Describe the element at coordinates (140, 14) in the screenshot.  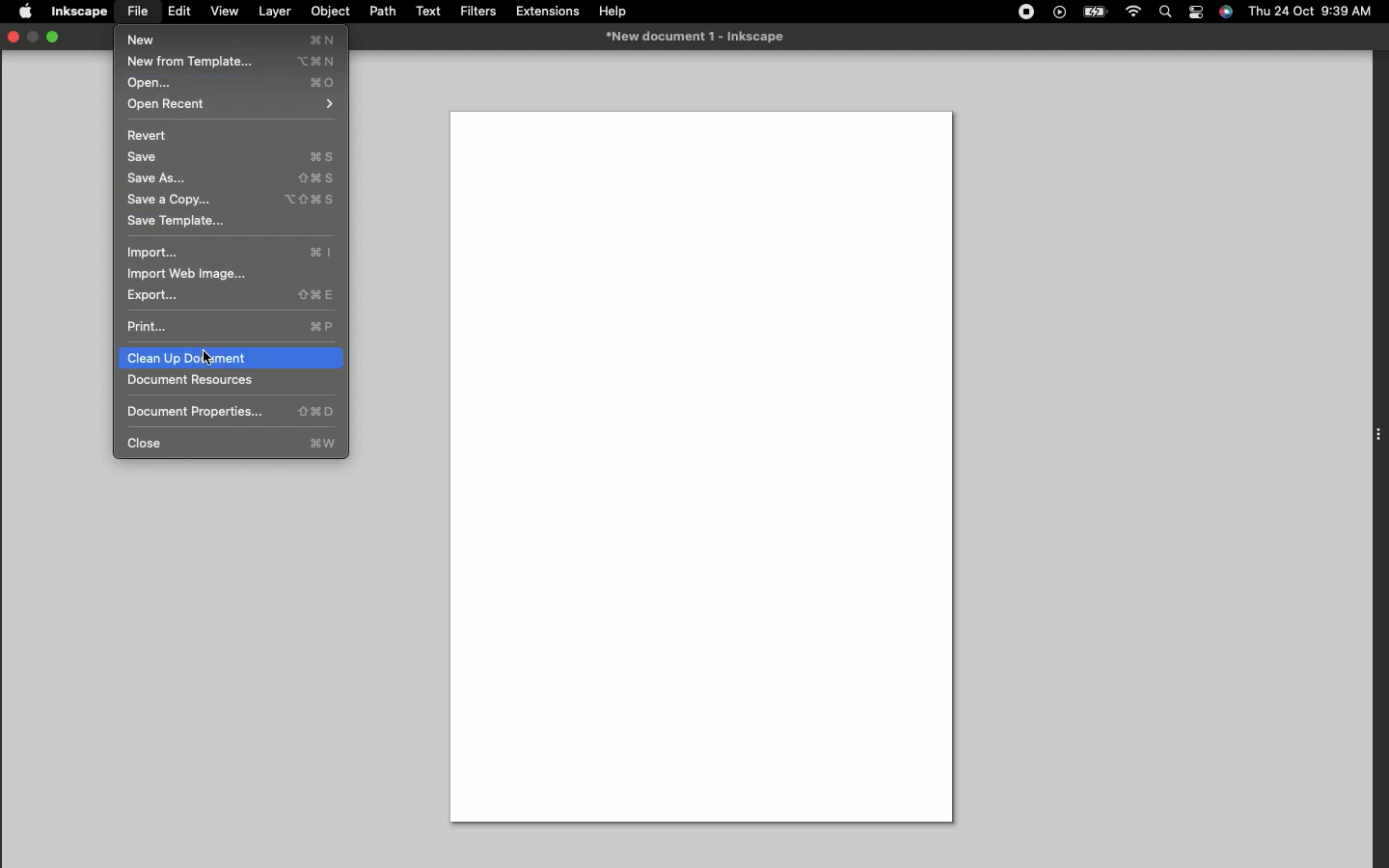
I see `File` at that location.